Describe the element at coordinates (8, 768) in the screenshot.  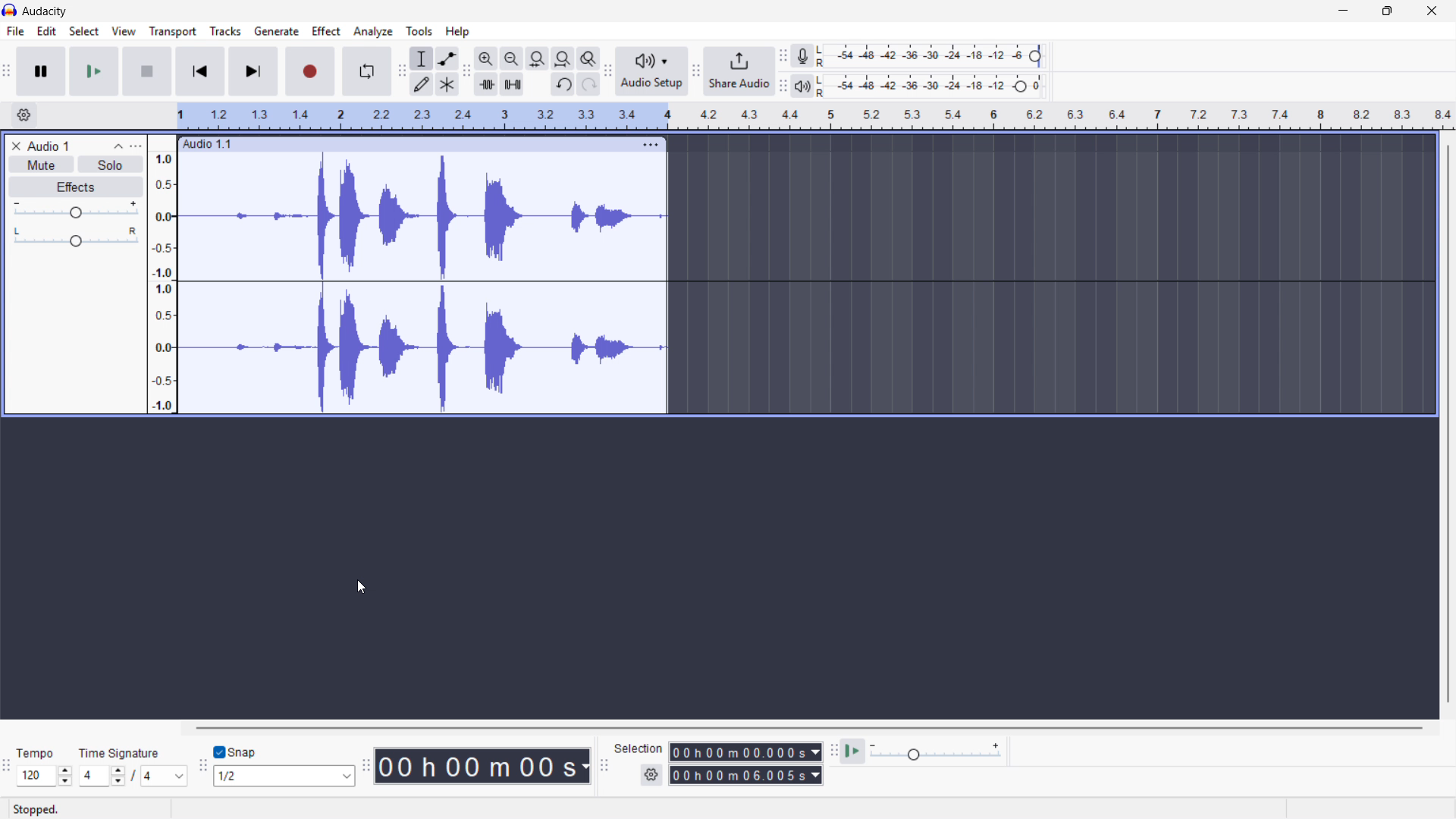
I see `Time signature toolbar` at that location.